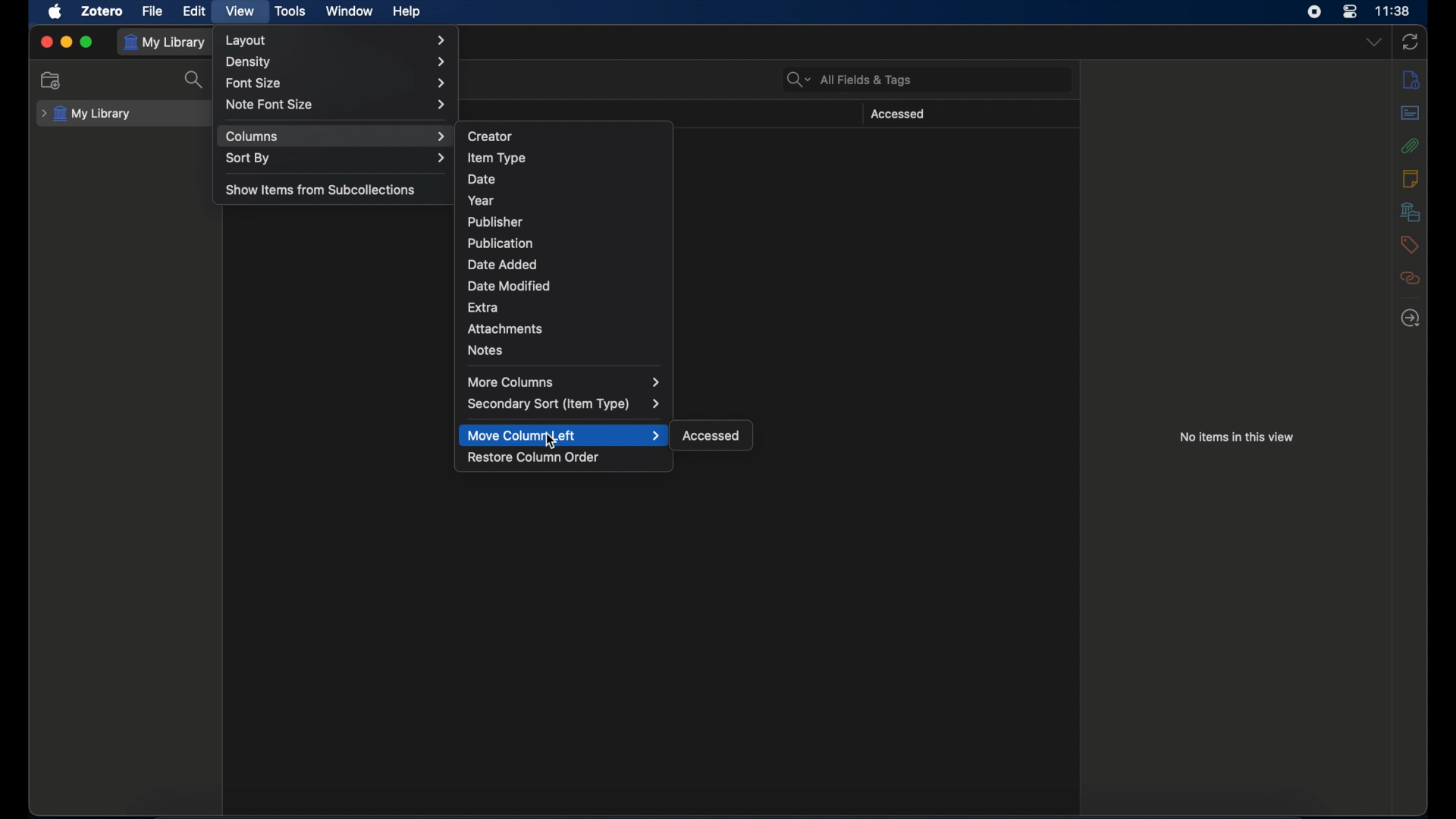  Describe the element at coordinates (500, 243) in the screenshot. I see `publication` at that location.